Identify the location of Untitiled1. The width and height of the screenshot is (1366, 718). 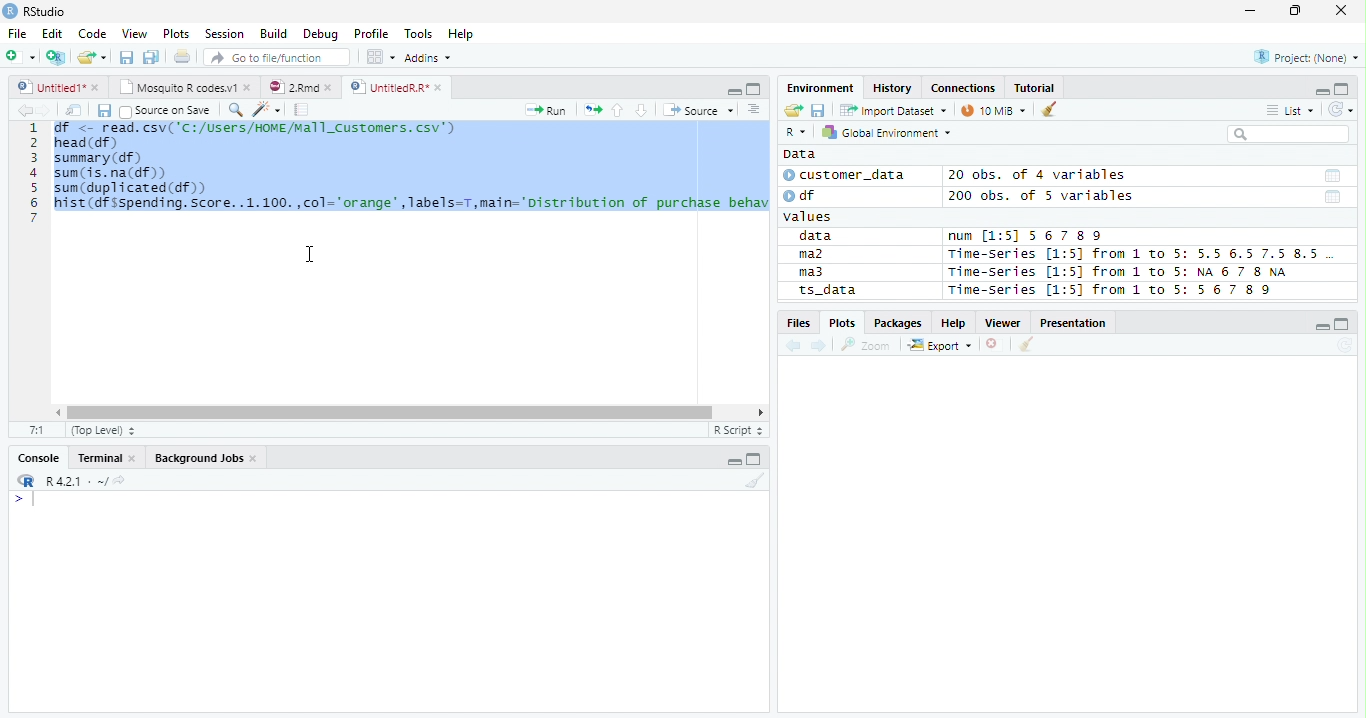
(57, 87).